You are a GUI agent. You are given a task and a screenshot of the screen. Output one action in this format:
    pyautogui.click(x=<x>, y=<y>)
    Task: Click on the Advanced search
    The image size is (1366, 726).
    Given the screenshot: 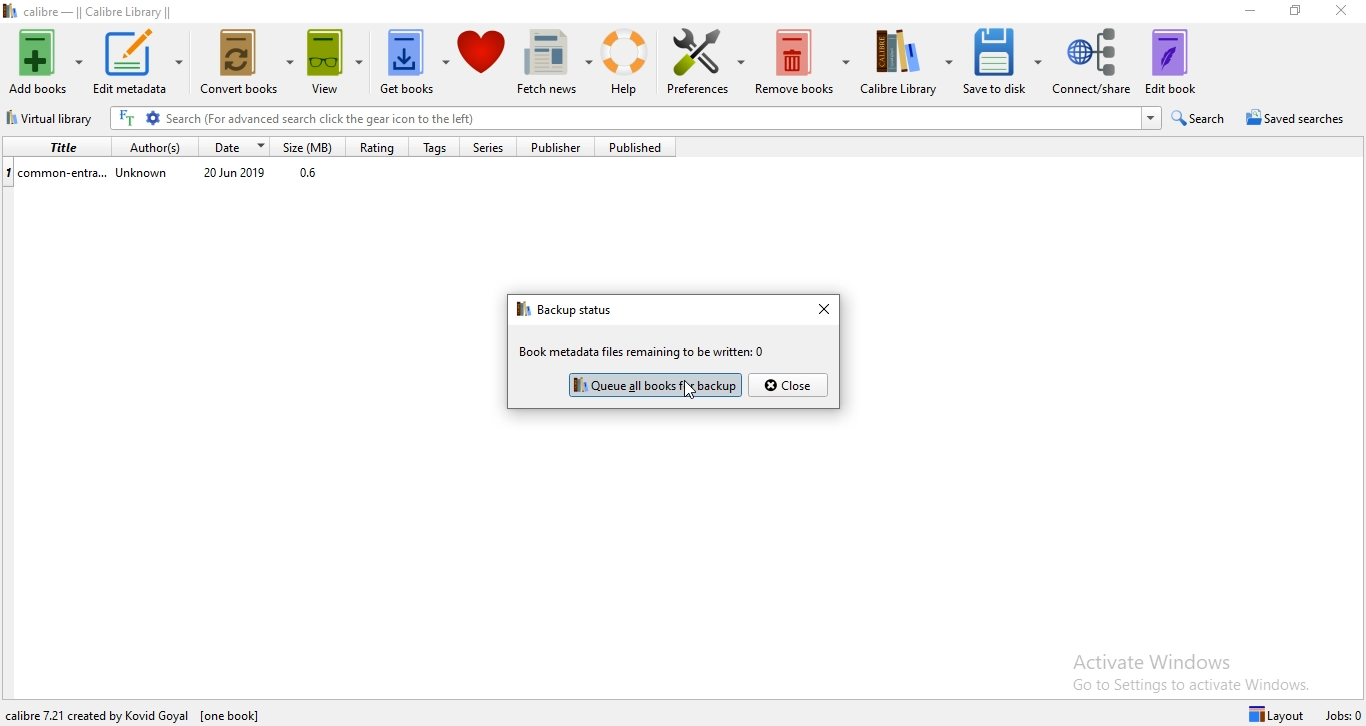 What is the action you would take?
    pyautogui.click(x=153, y=119)
    